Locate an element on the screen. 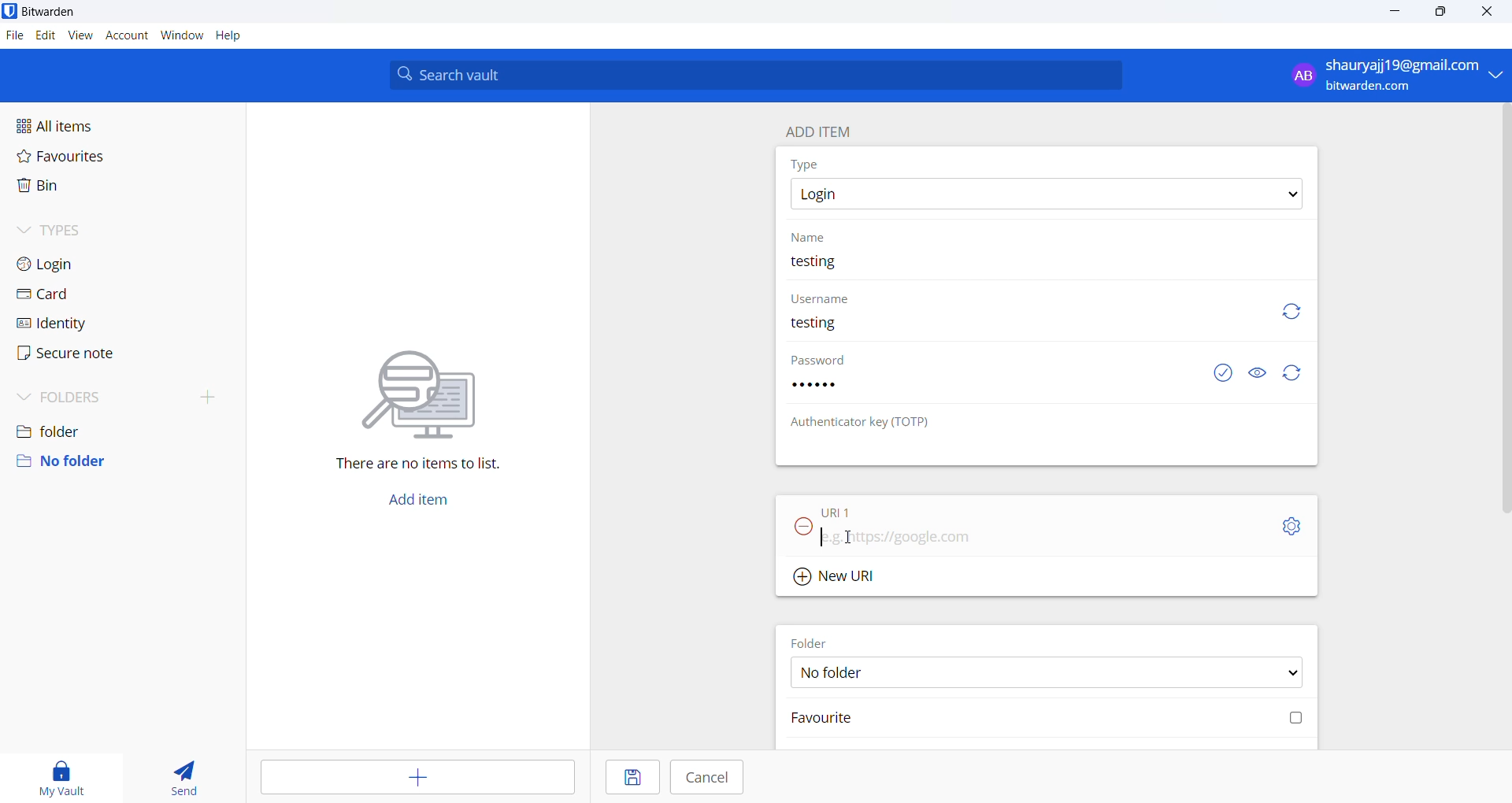  bin is located at coordinates (82, 191).